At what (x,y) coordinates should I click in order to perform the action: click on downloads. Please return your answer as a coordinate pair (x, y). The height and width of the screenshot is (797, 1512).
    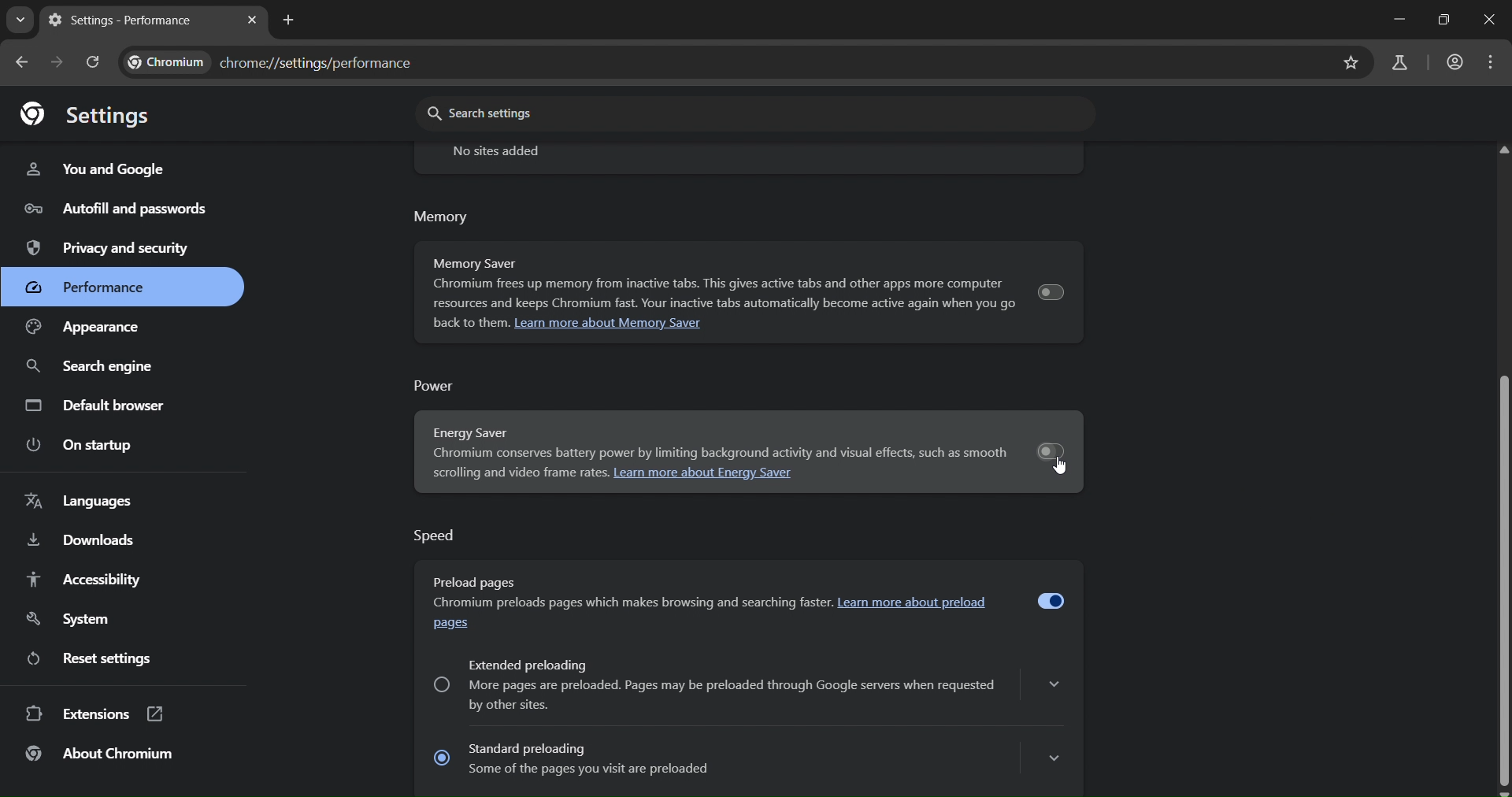
    Looking at the image, I should click on (86, 539).